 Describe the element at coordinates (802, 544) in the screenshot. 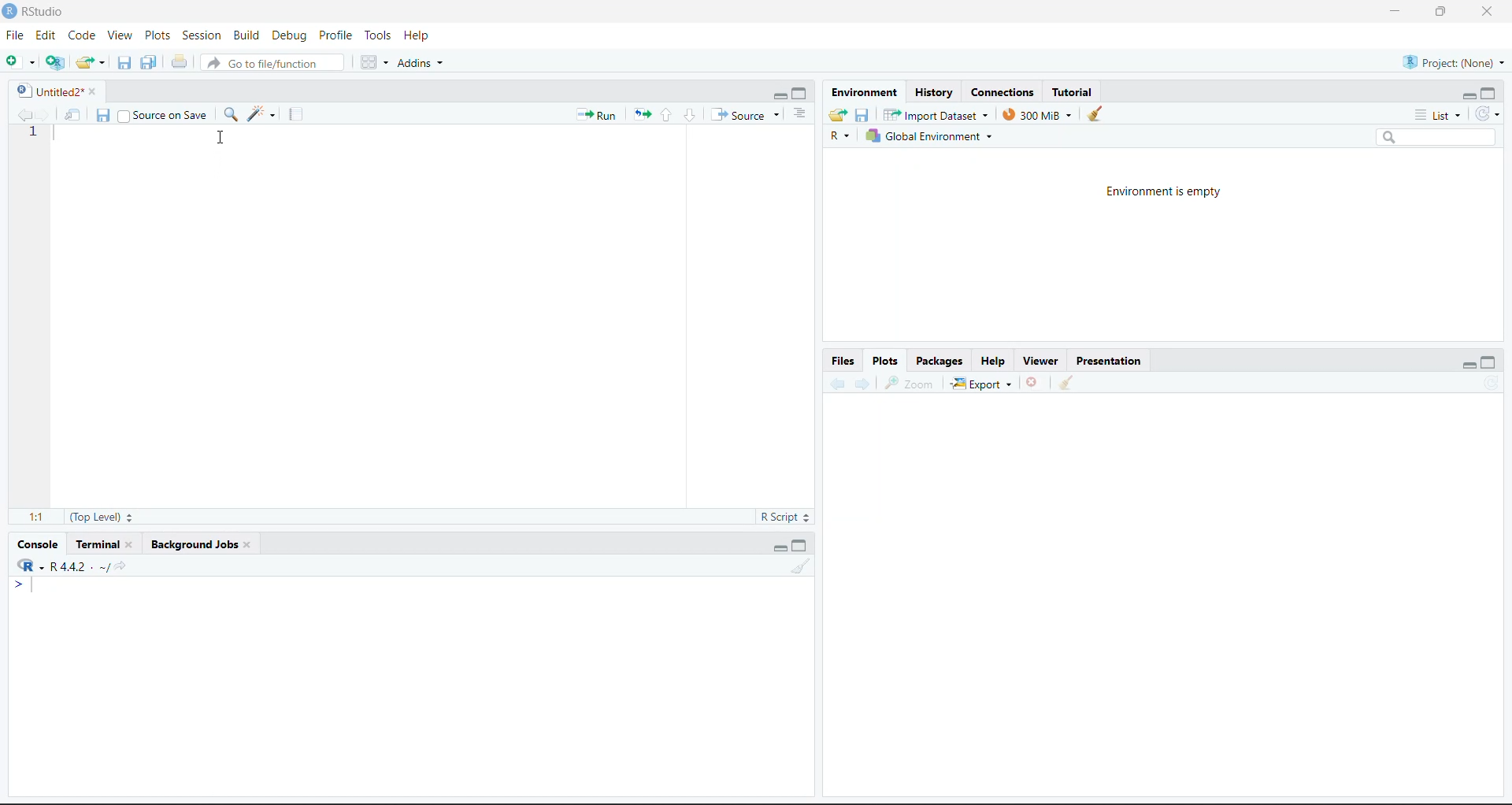

I see `hide console` at that location.